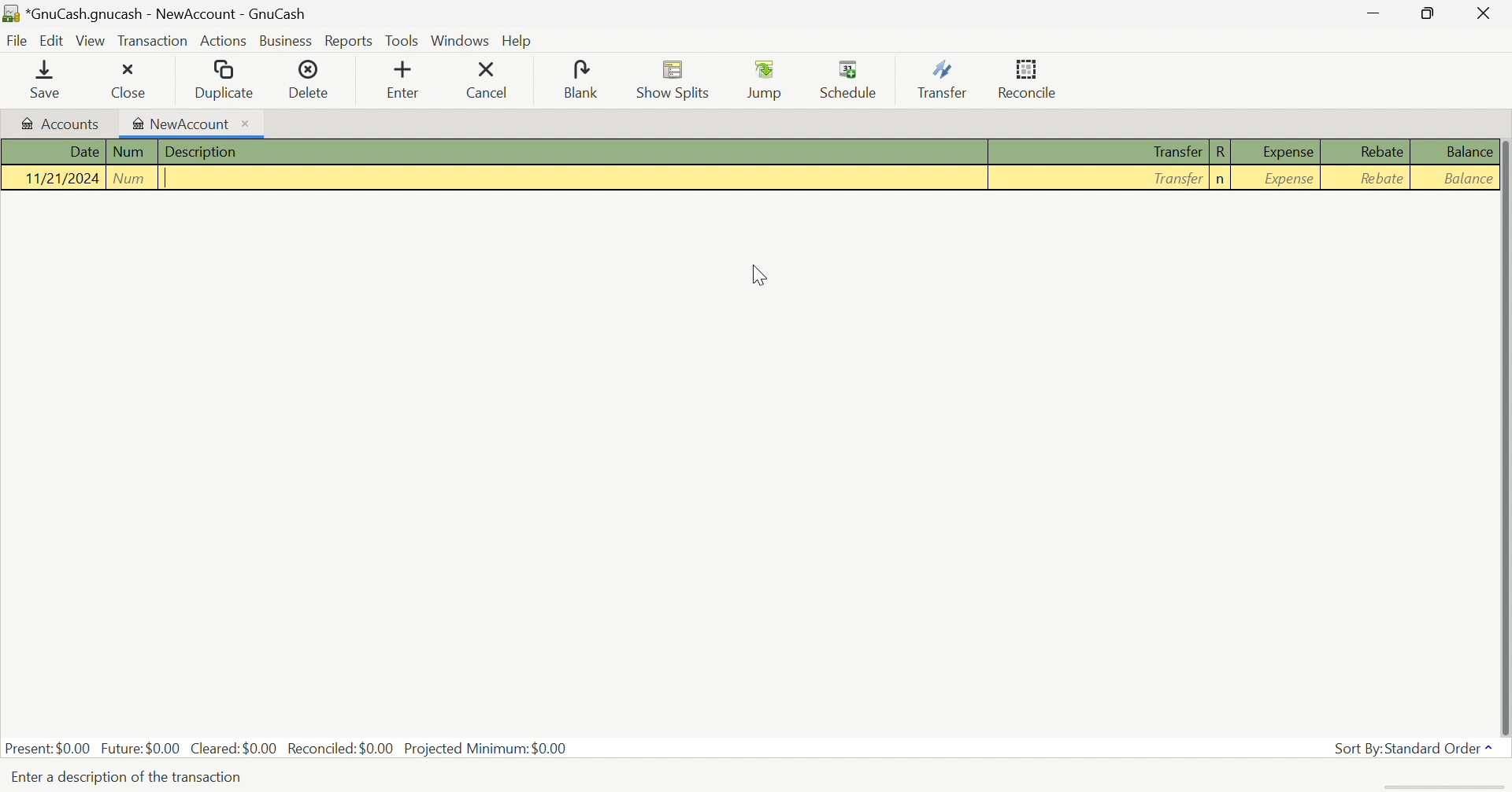 The image size is (1512, 792). Describe the element at coordinates (169, 179) in the screenshot. I see `Typing Cursor` at that location.